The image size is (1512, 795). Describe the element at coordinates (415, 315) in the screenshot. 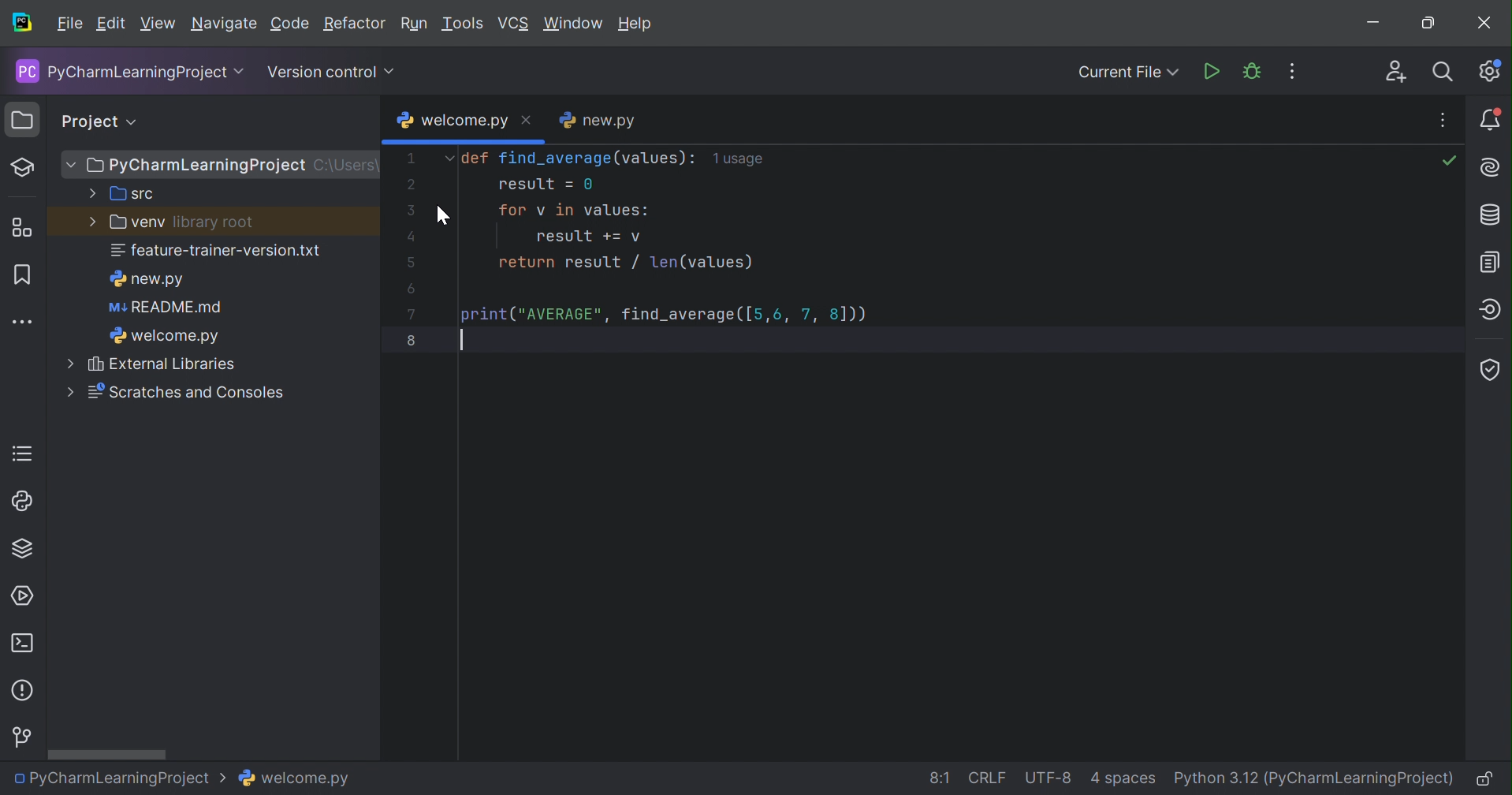

I see `7` at that location.